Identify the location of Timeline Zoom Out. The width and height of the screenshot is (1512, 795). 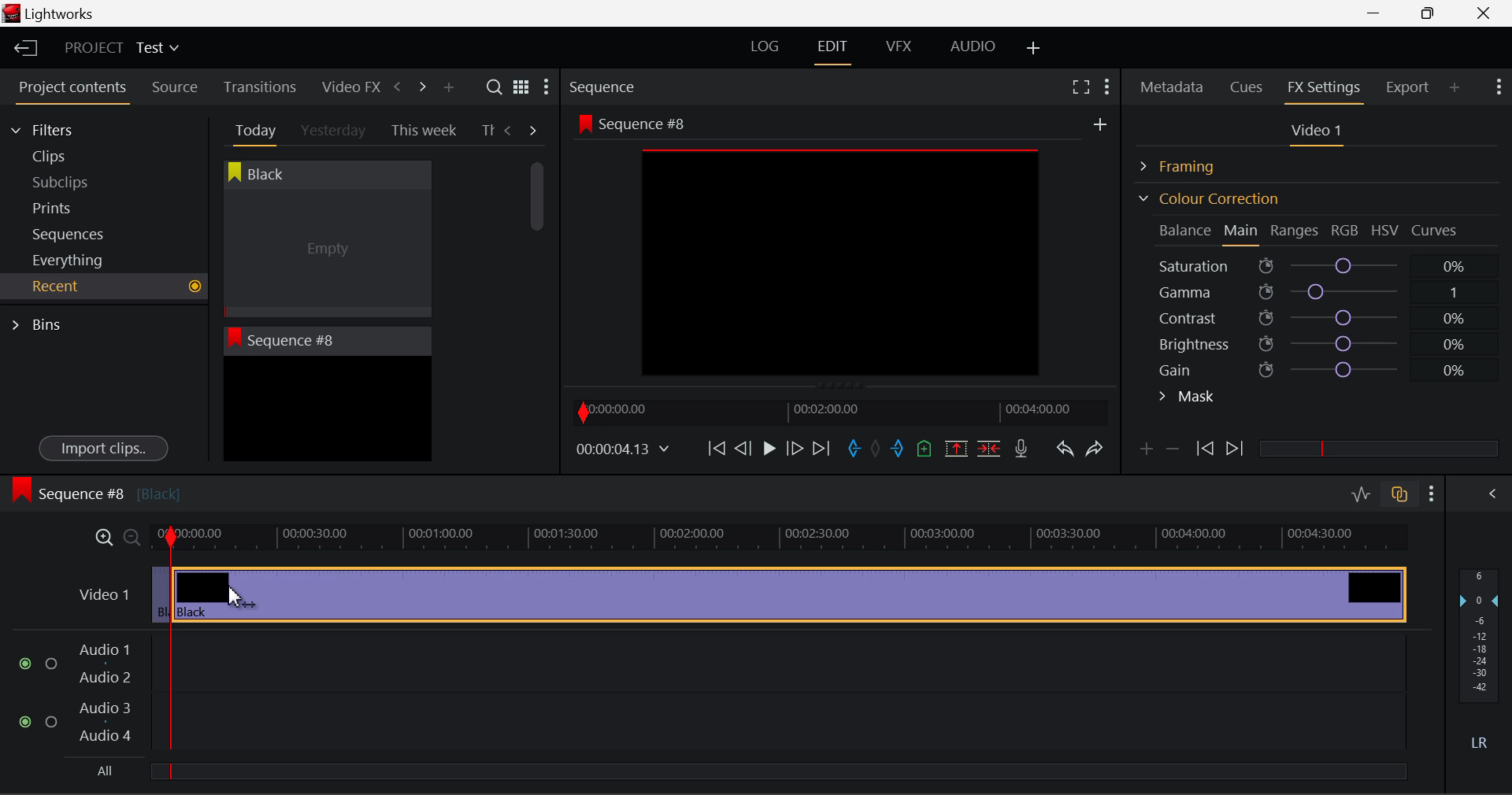
(131, 537).